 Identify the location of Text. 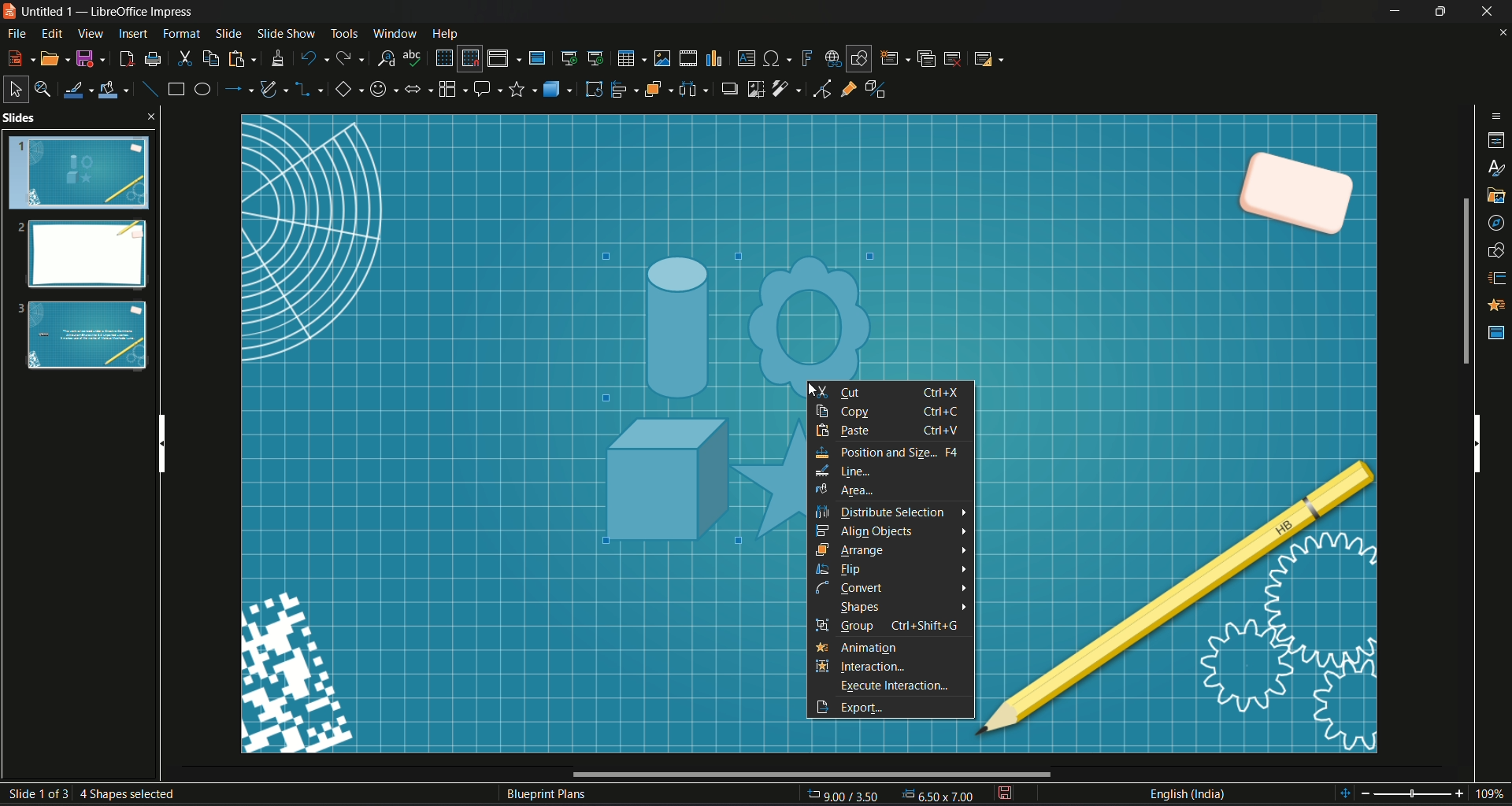
(547, 796).